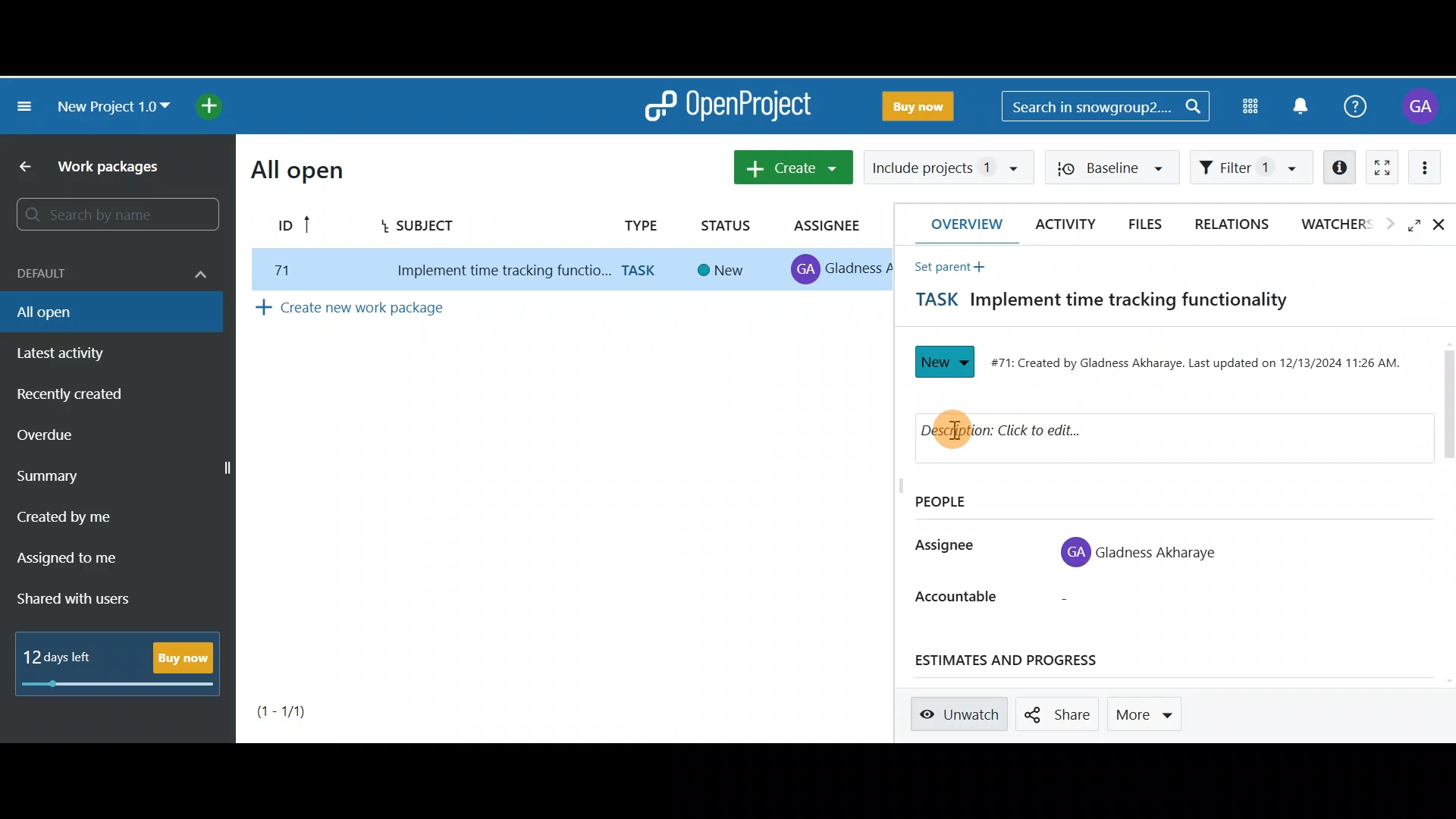 This screenshot has height=819, width=1456. What do you see at coordinates (390, 311) in the screenshot?
I see `Create new work package` at bounding box center [390, 311].